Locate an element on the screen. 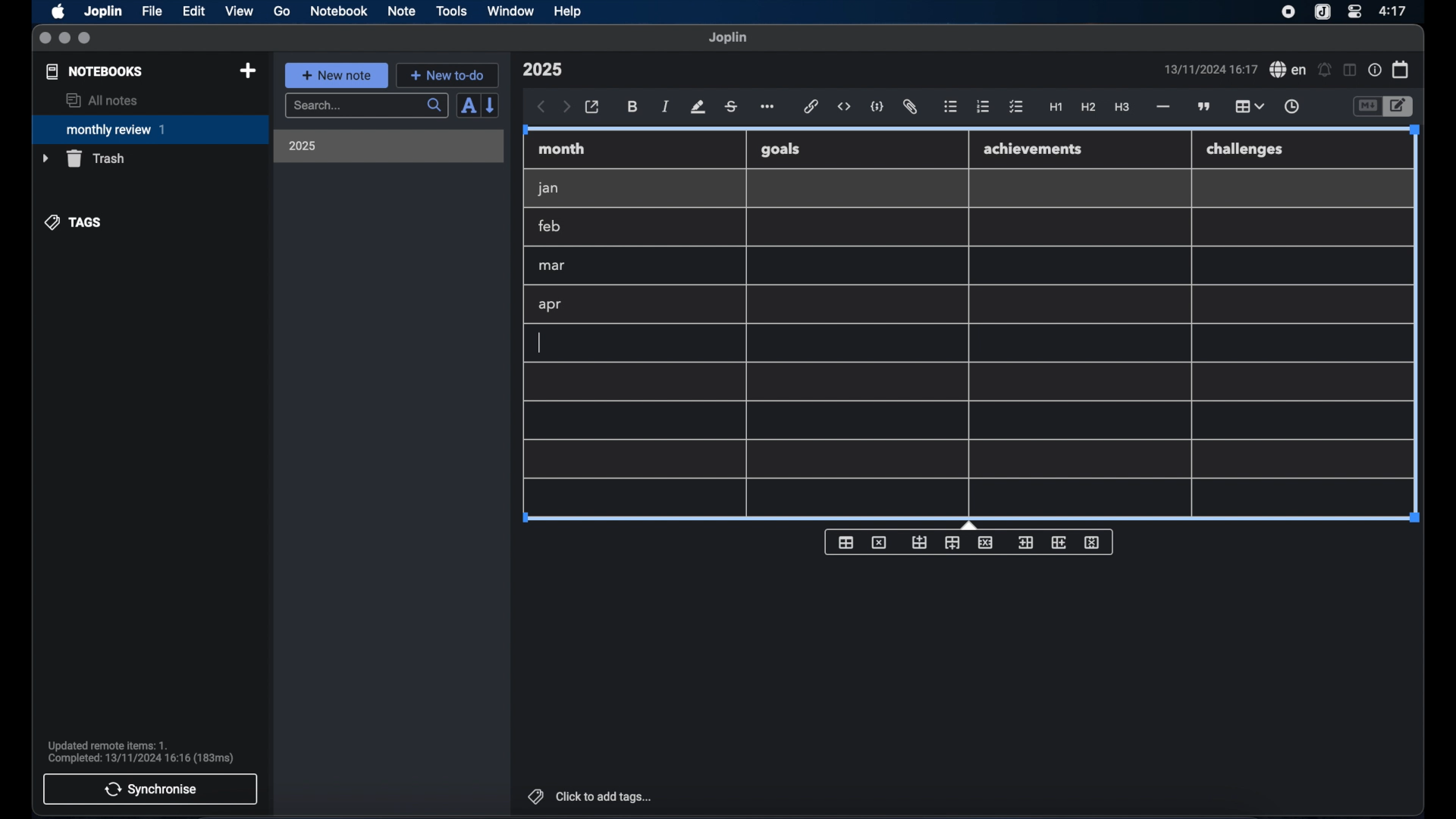  go is located at coordinates (282, 11).